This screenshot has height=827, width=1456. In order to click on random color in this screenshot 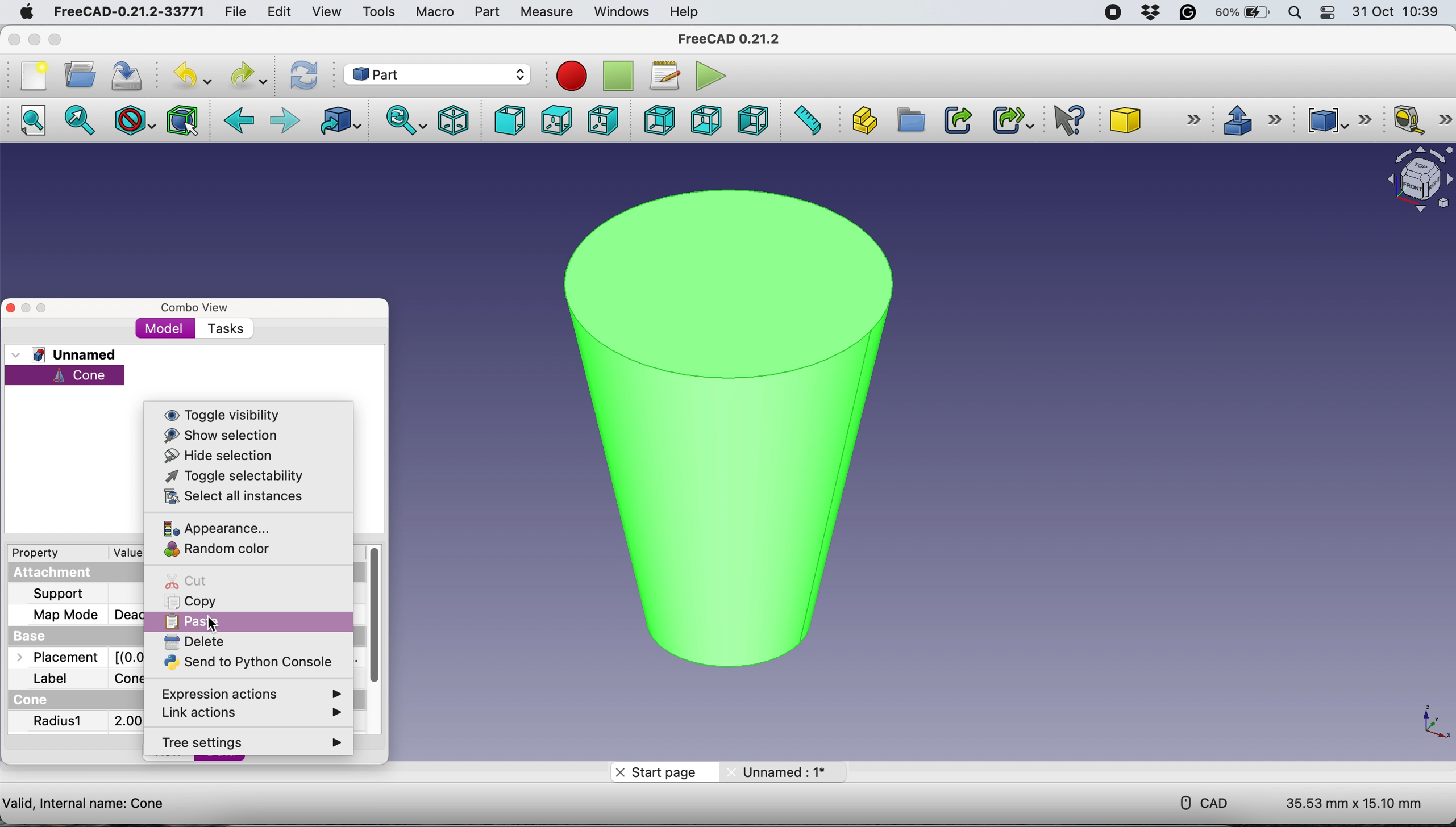, I will do `click(218, 549)`.